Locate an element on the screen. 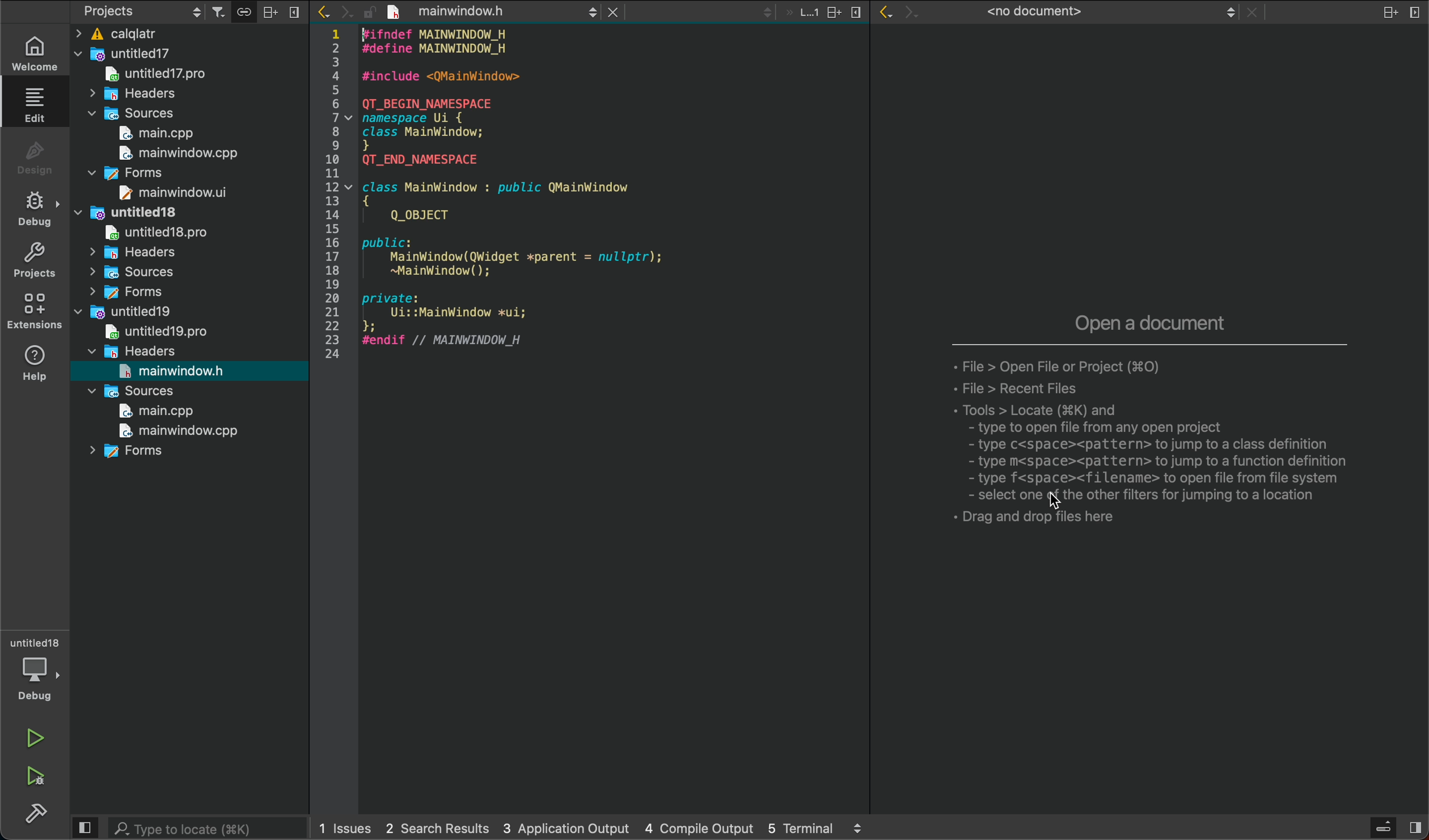  headres is located at coordinates (137, 253).